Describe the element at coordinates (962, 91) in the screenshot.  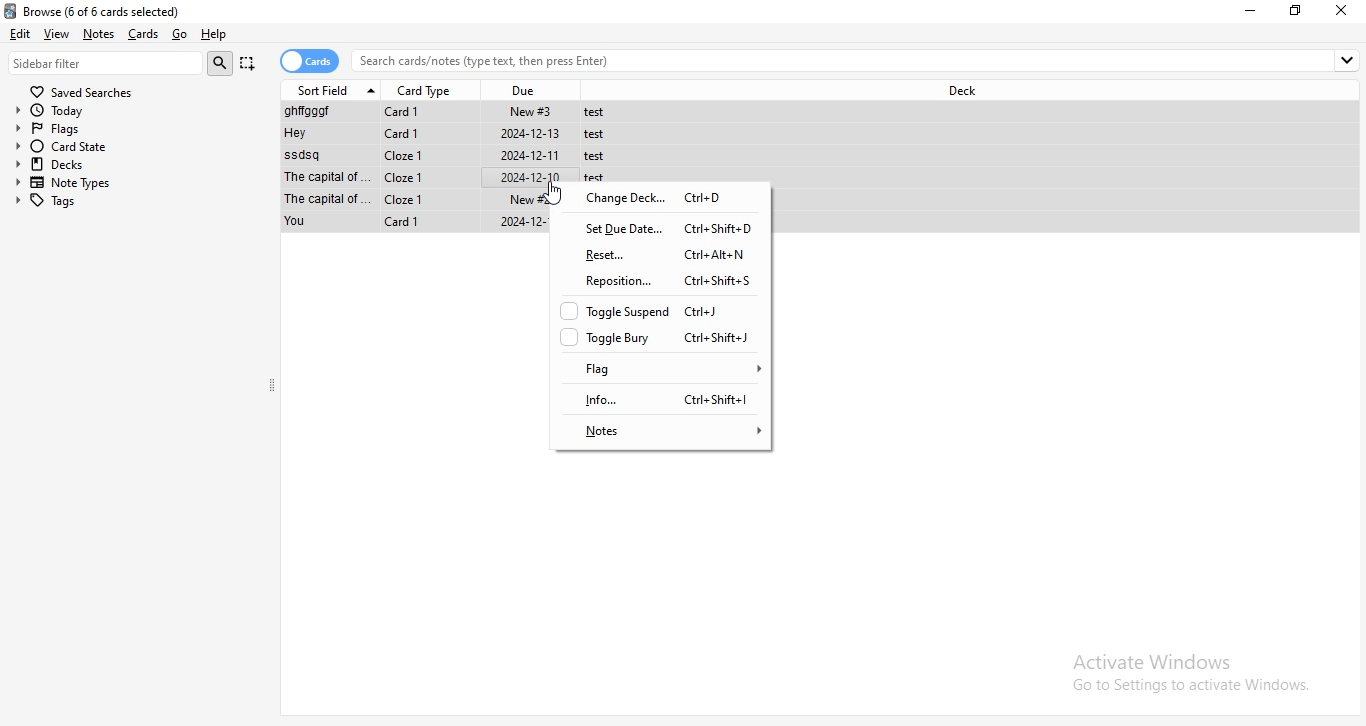
I see `deck` at that location.